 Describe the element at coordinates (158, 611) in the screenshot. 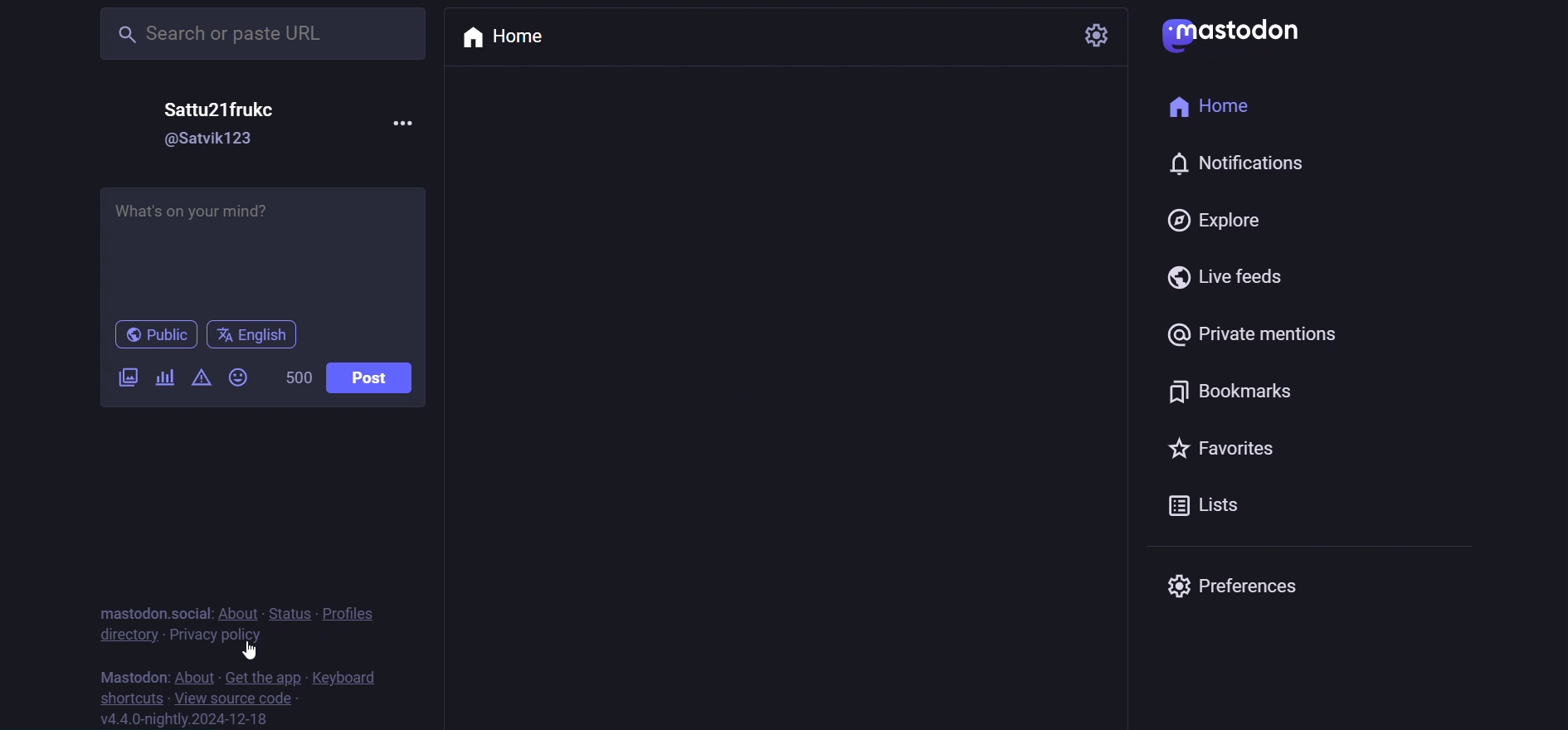

I see `mastodon social` at that location.